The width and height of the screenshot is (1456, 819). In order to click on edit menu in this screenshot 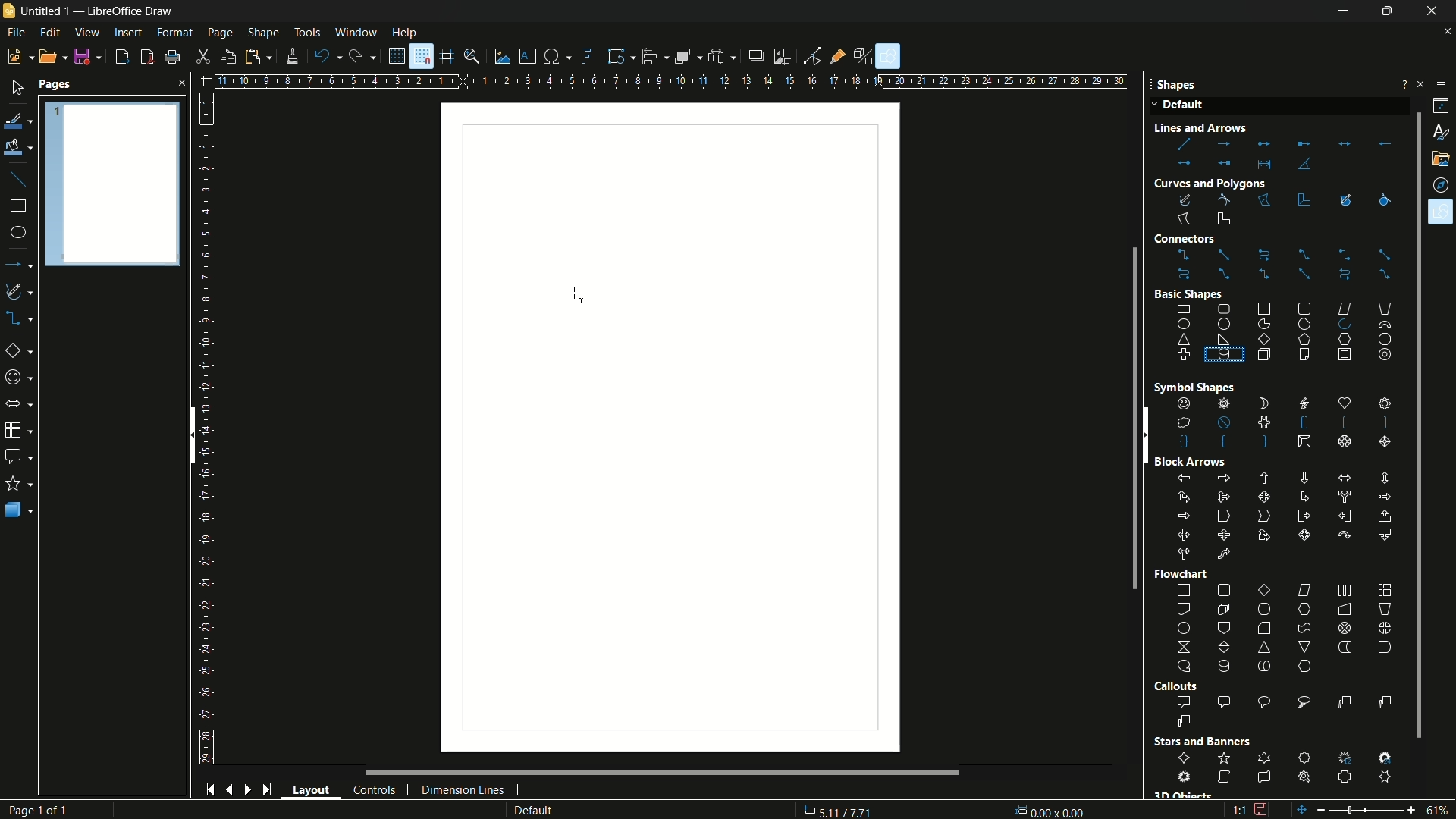, I will do `click(49, 33)`.